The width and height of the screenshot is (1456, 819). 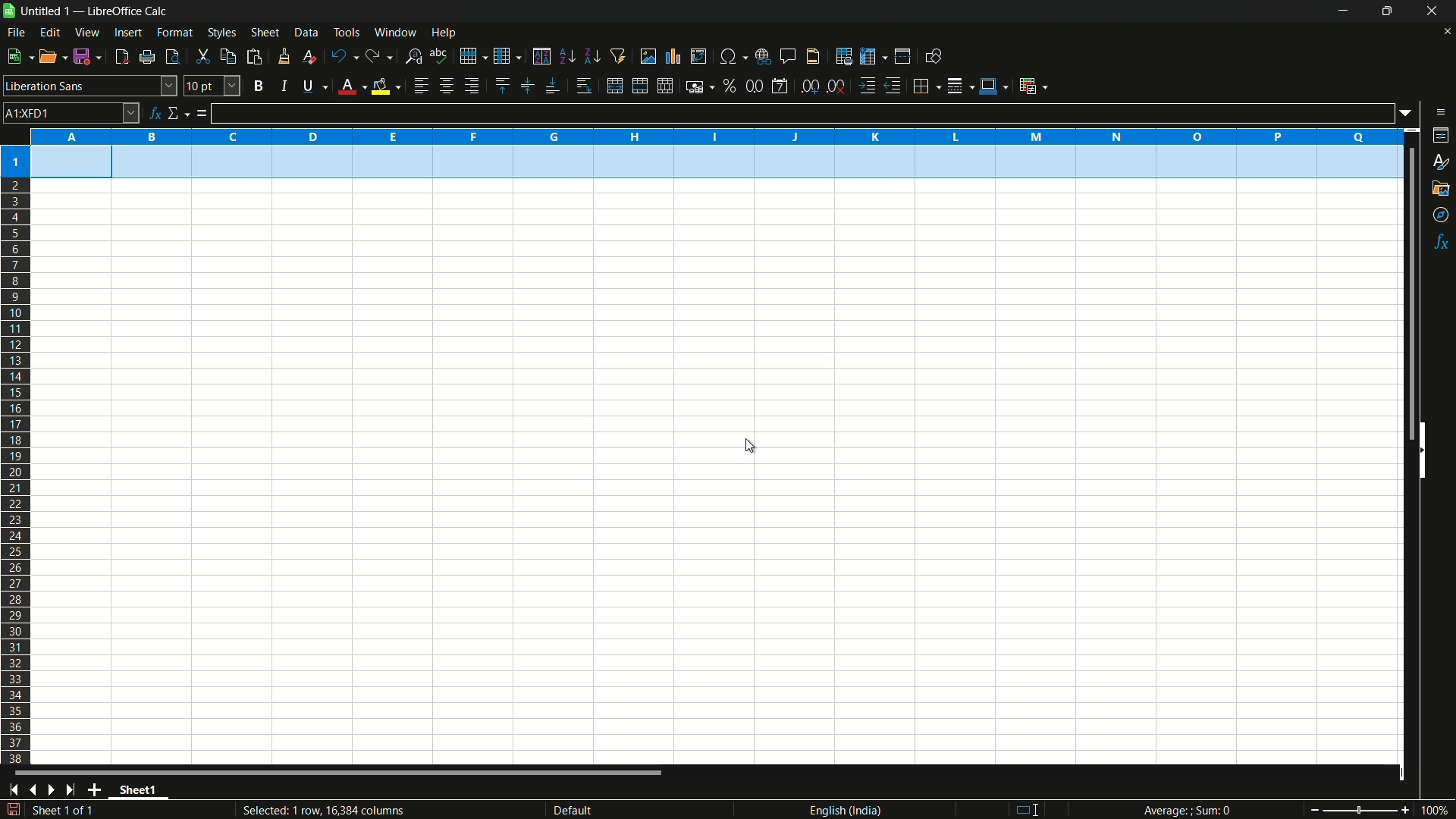 I want to click on paste, so click(x=254, y=57).